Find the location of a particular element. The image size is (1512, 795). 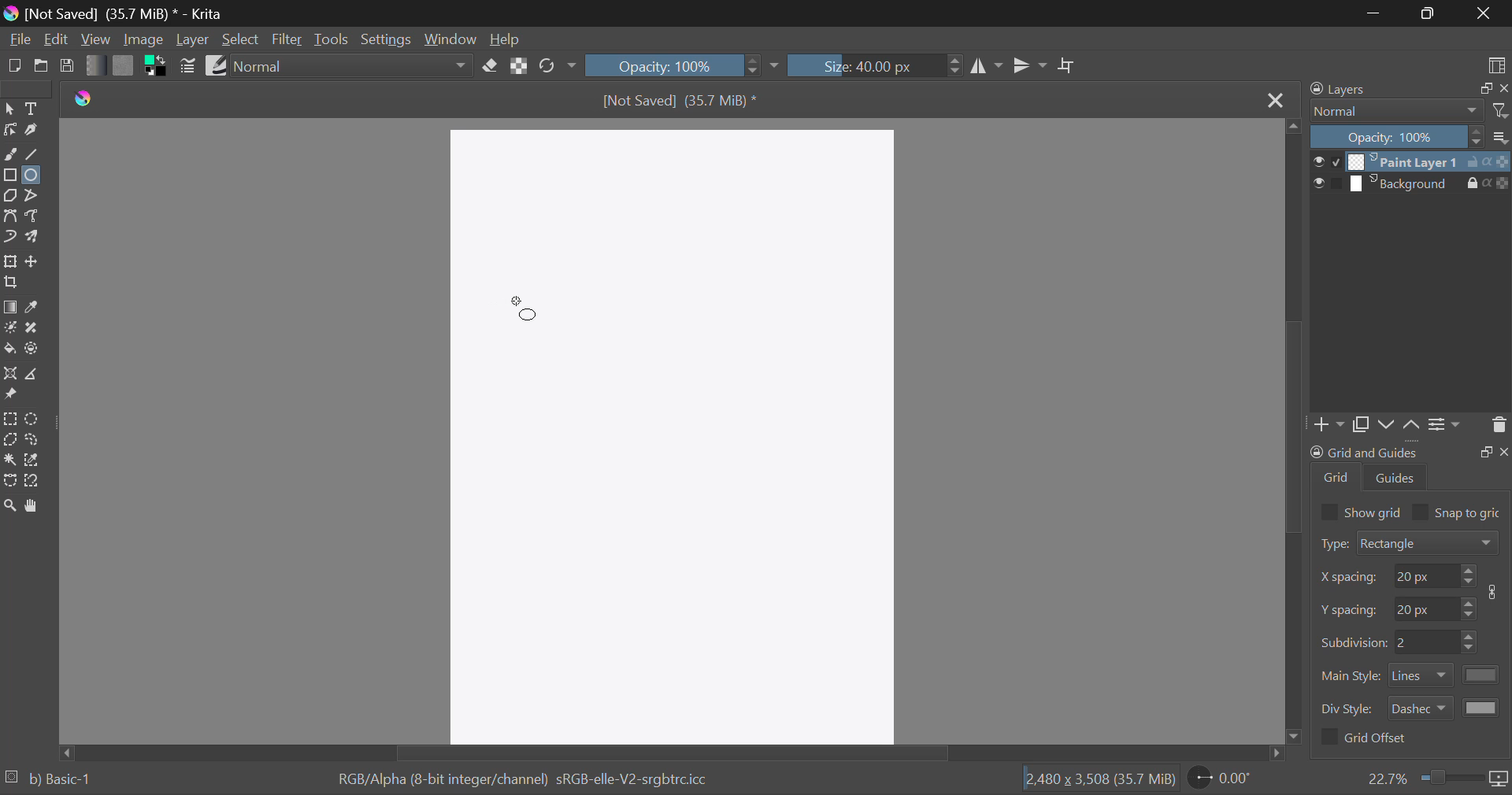

Transform Layer is located at coordinates (9, 261).